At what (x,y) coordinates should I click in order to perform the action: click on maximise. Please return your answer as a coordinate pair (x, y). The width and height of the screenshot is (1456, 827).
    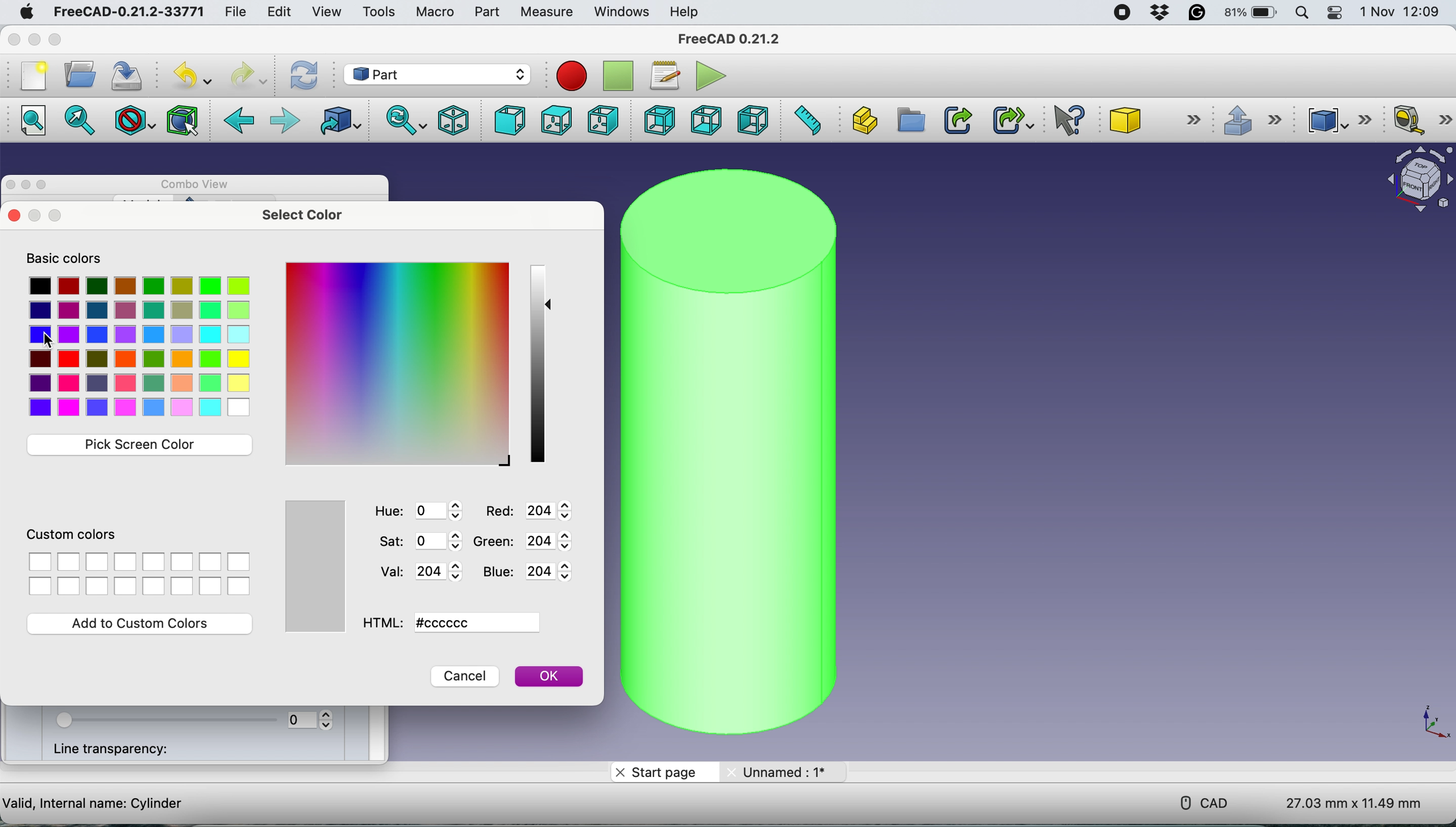
    Looking at the image, I should click on (44, 187).